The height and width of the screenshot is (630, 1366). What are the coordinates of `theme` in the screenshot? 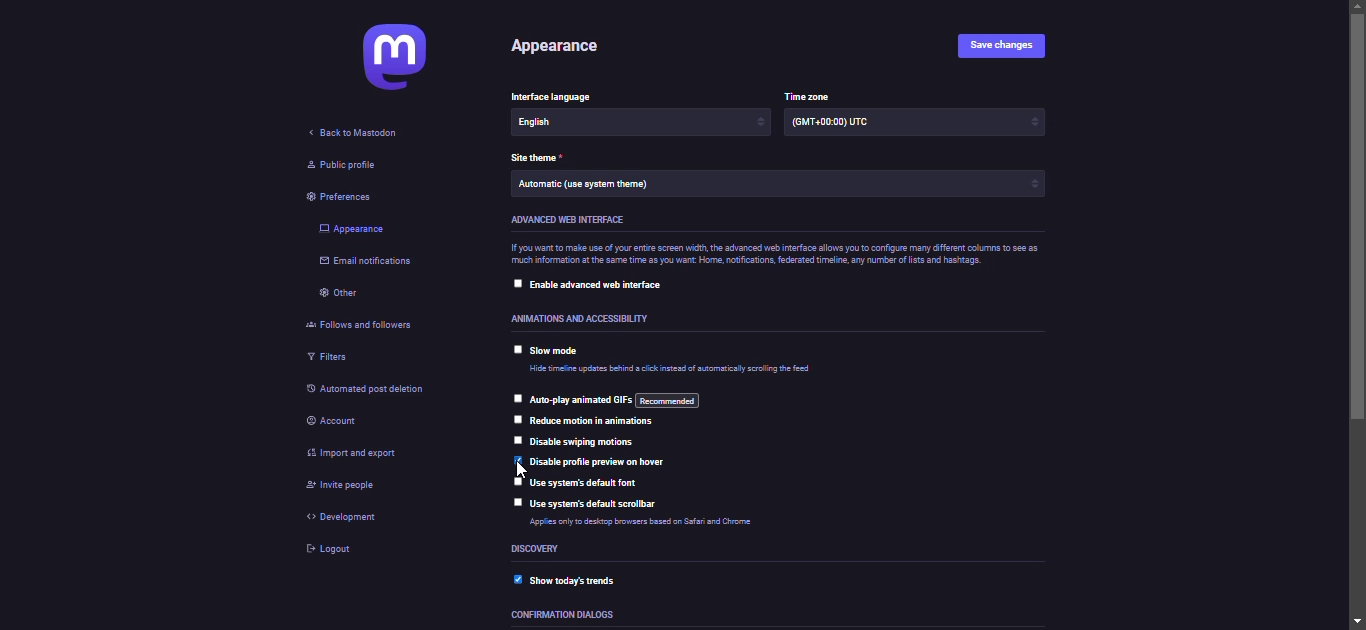 It's located at (592, 186).